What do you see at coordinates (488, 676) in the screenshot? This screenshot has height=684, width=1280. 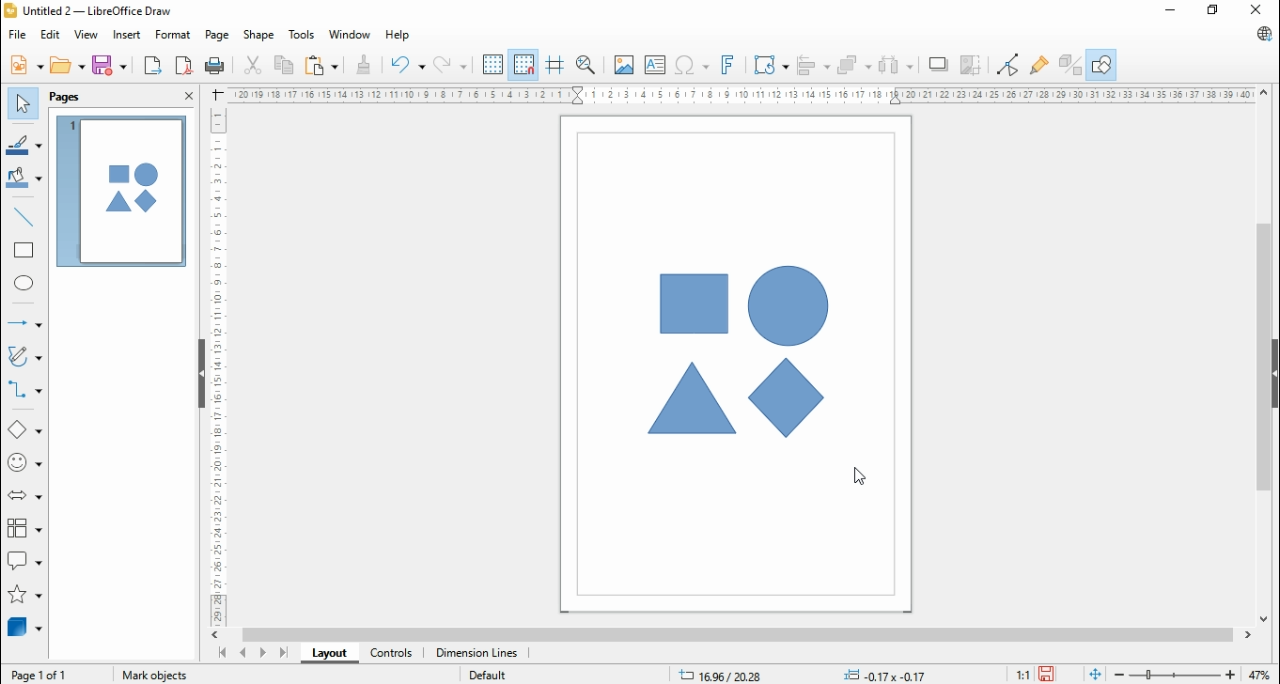 I see `default` at bounding box center [488, 676].